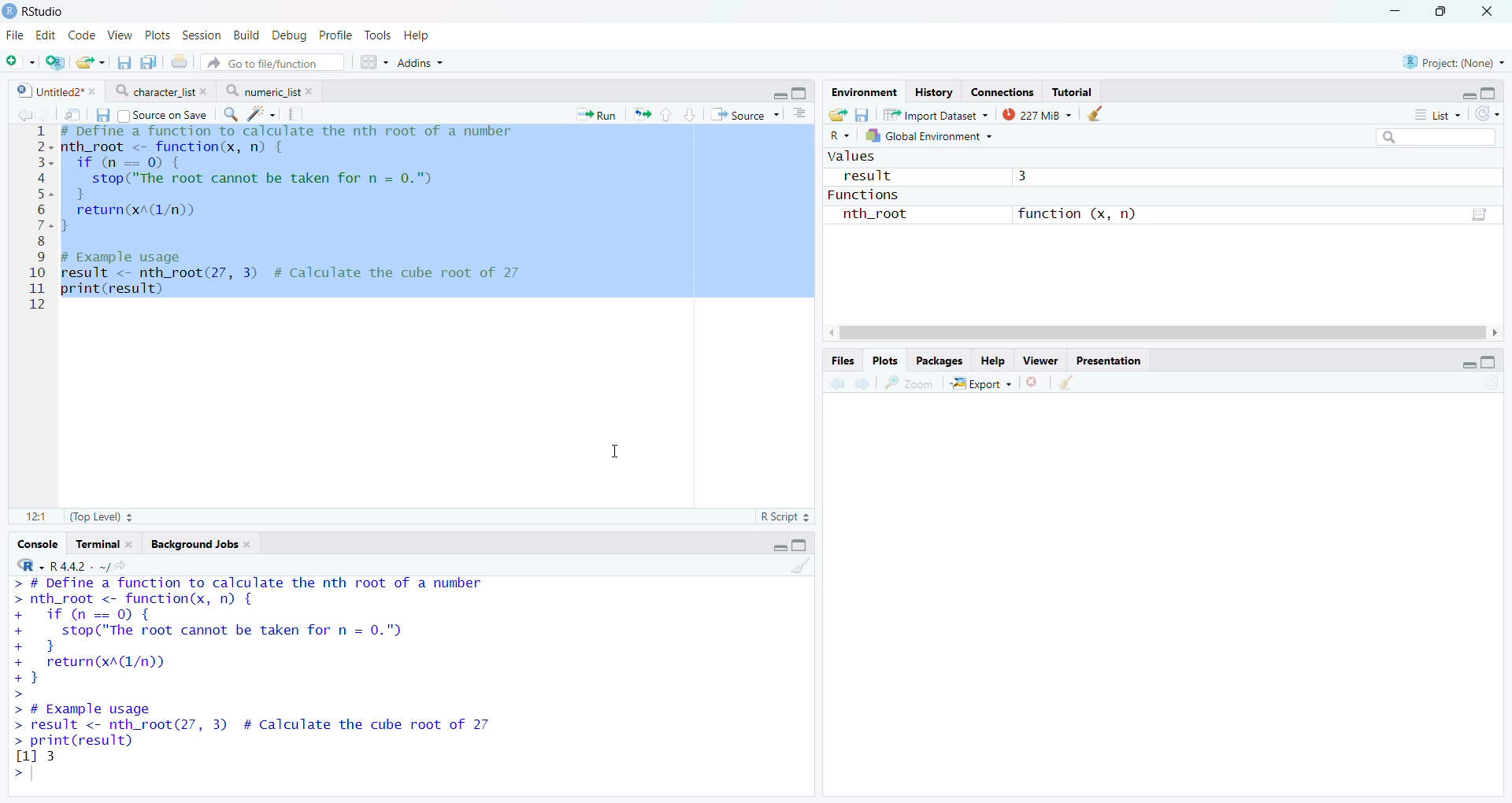 Image resolution: width=1512 pixels, height=803 pixels. I want to click on Save, so click(104, 116).